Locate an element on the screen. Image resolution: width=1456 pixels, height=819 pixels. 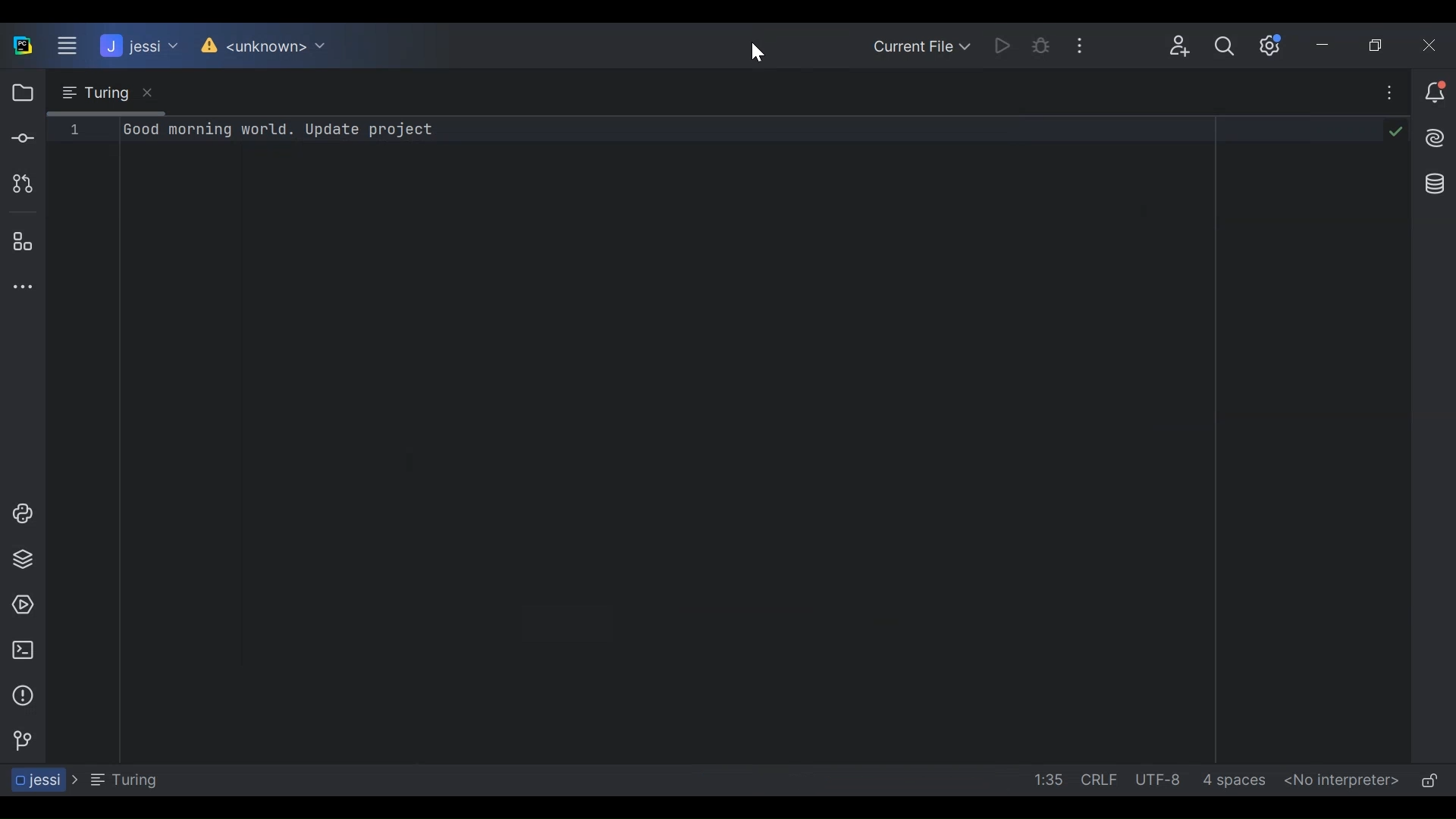
Python Packages is located at coordinates (22, 560).